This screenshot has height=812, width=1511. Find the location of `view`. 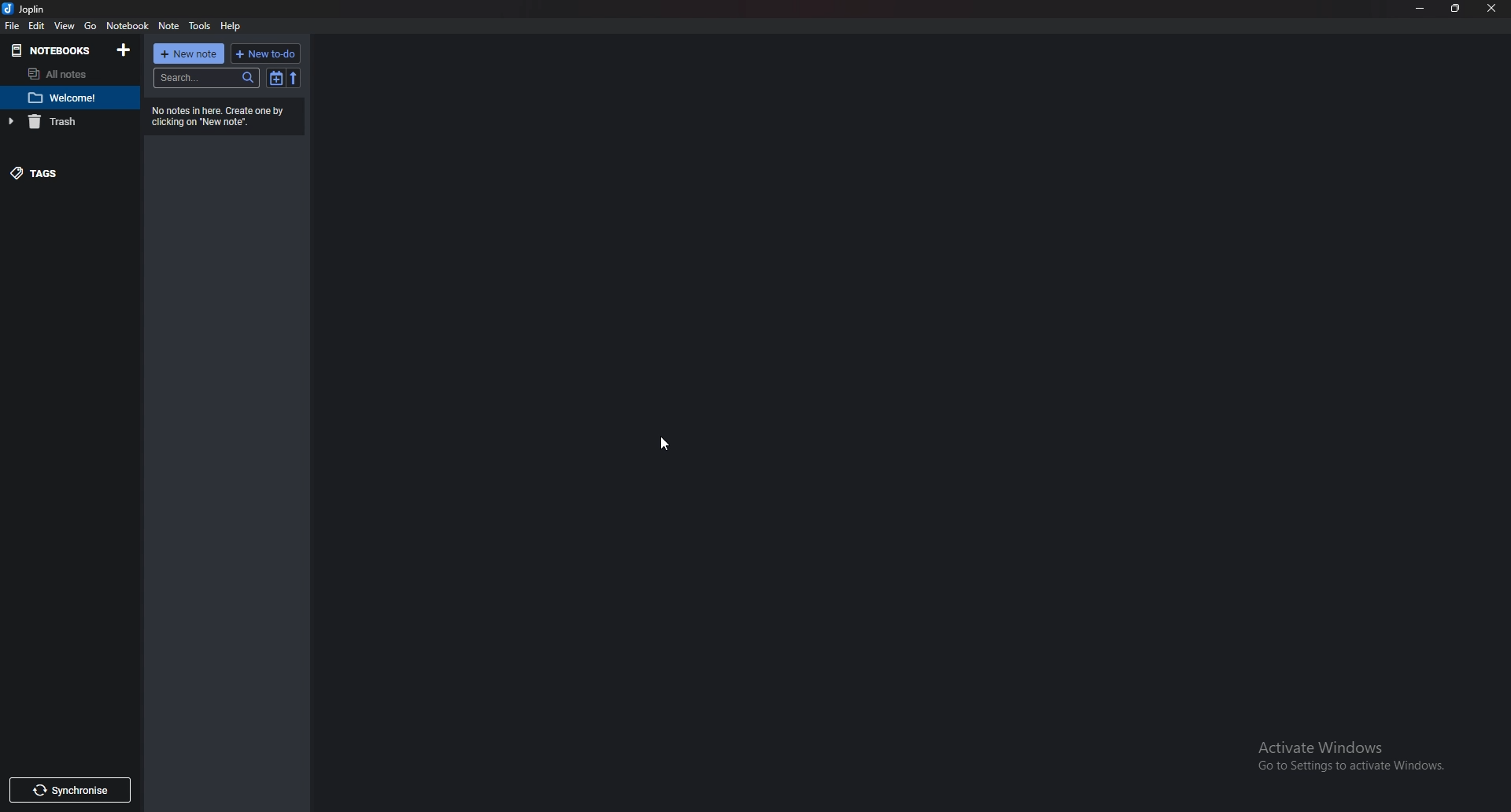

view is located at coordinates (65, 26).